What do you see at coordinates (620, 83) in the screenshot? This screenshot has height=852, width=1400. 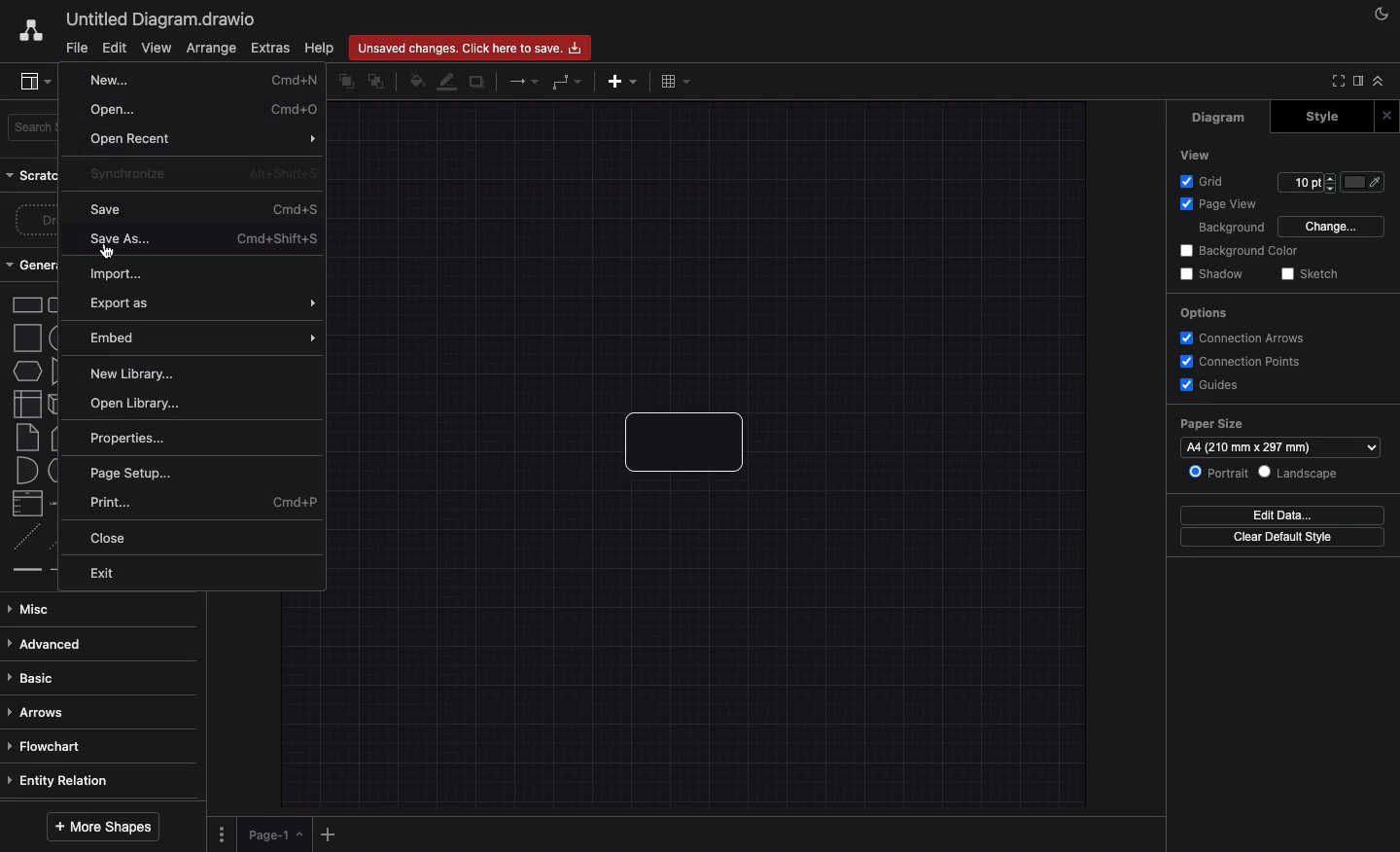 I see `Insert` at bounding box center [620, 83].